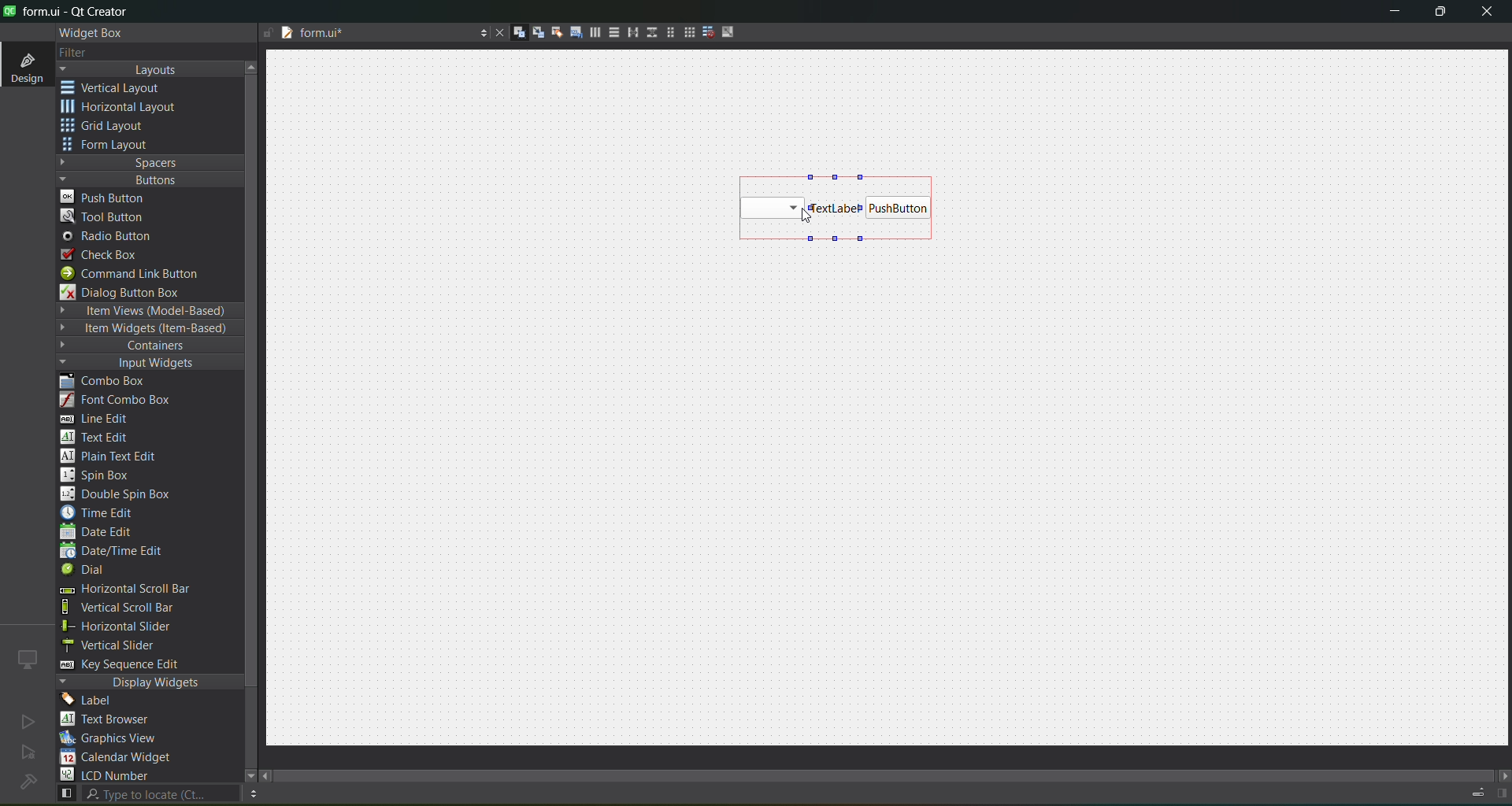 Image resolution: width=1512 pixels, height=806 pixels. I want to click on dialog box, so click(132, 291).